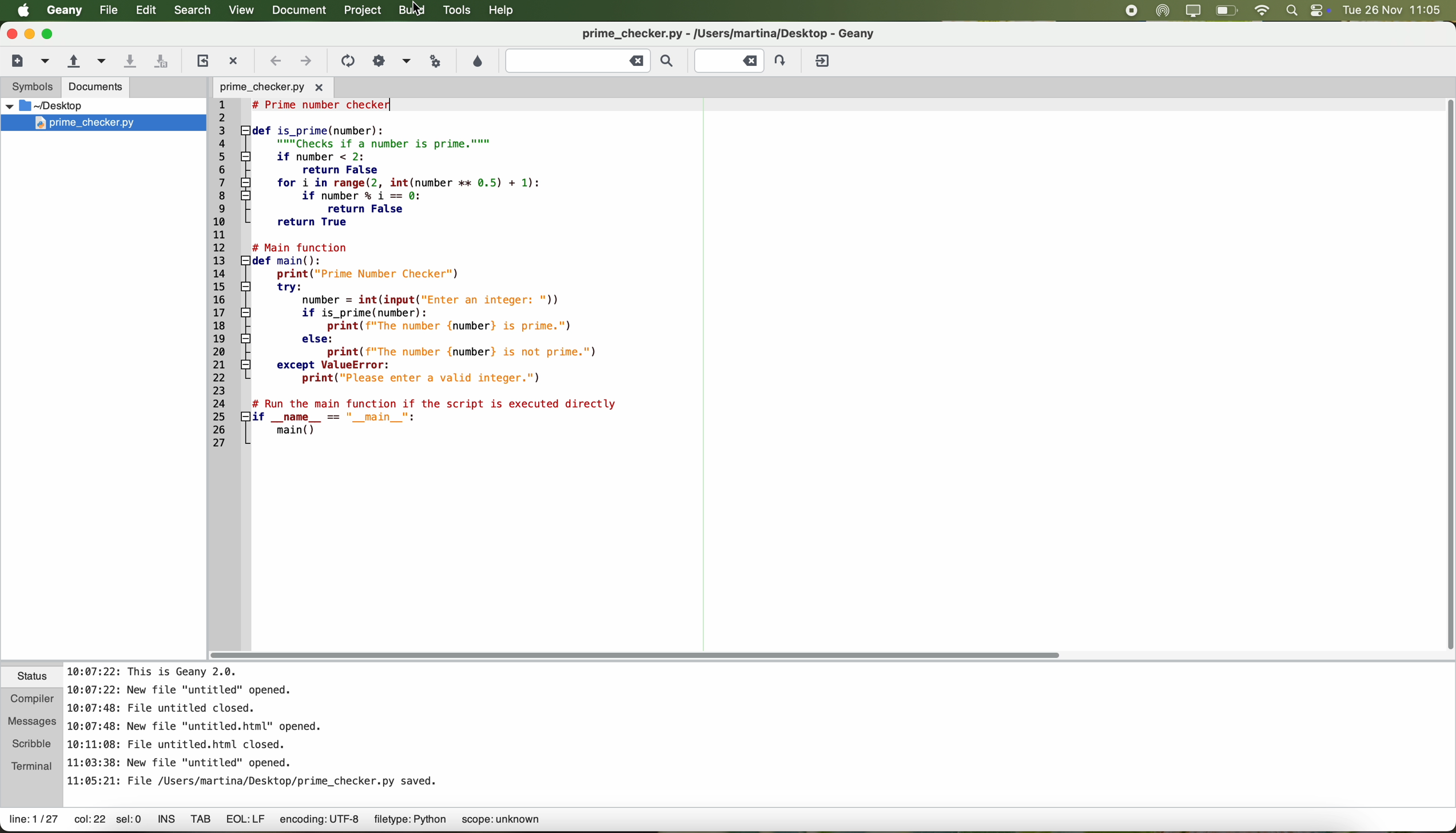 Image resolution: width=1456 pixels, height=833 pixels. I want to click on choose color, so click(477, 61).